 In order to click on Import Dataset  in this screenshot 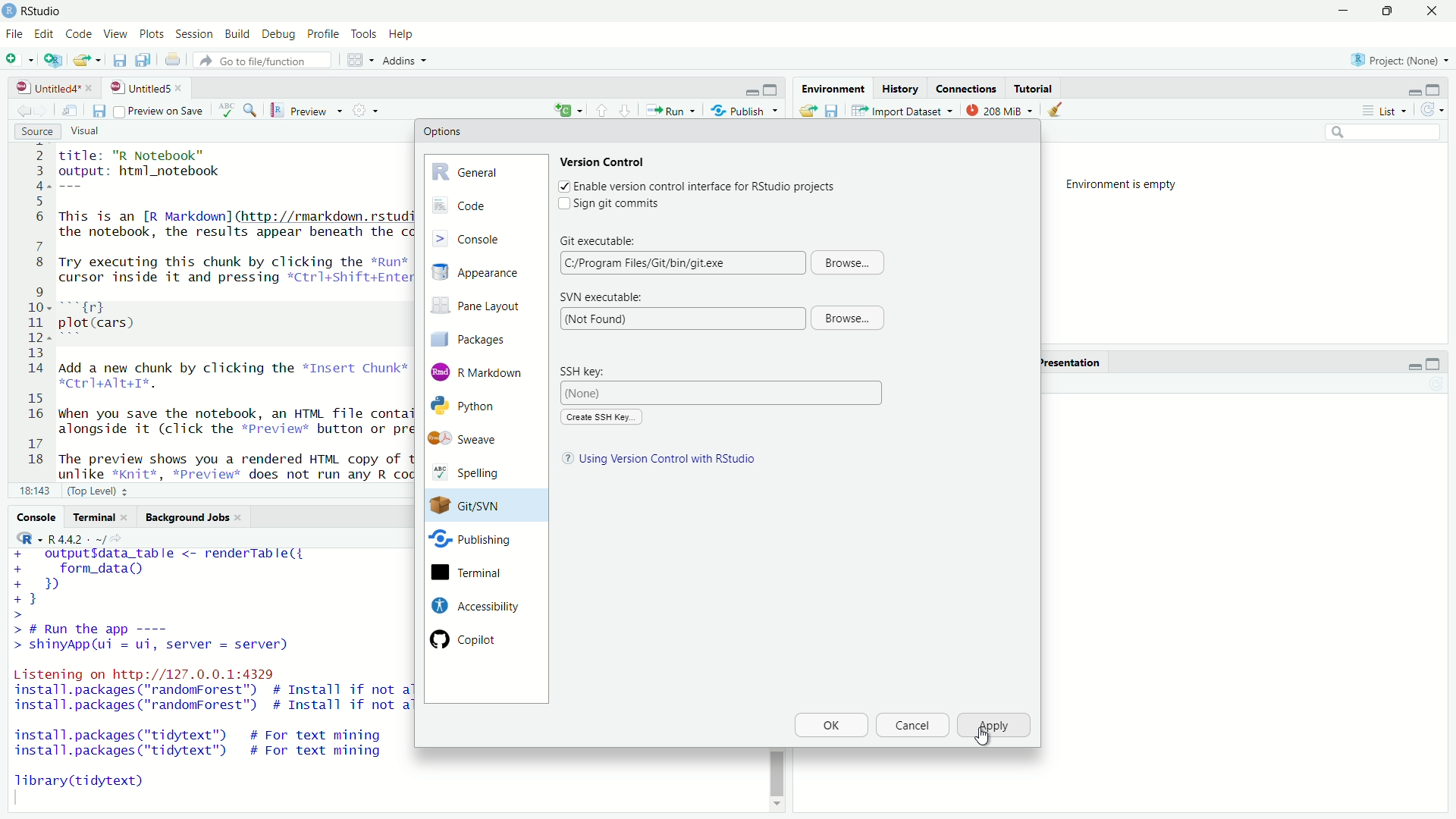, I will do `click(903, 110)`.